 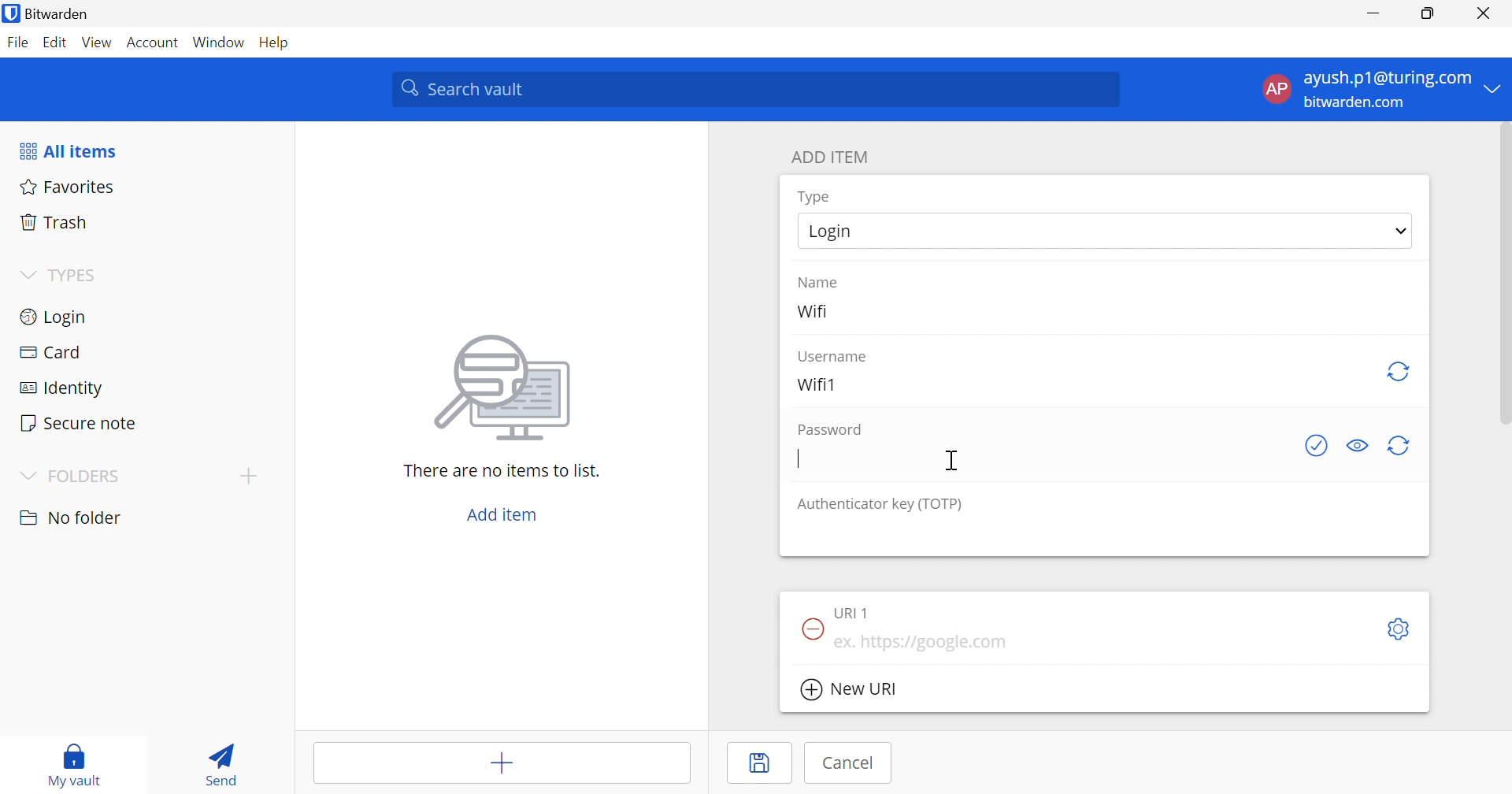 What do you see at coordinates (27, 276) in the screenshot?
I see `Drop Down` at bounding box center [27, 276].